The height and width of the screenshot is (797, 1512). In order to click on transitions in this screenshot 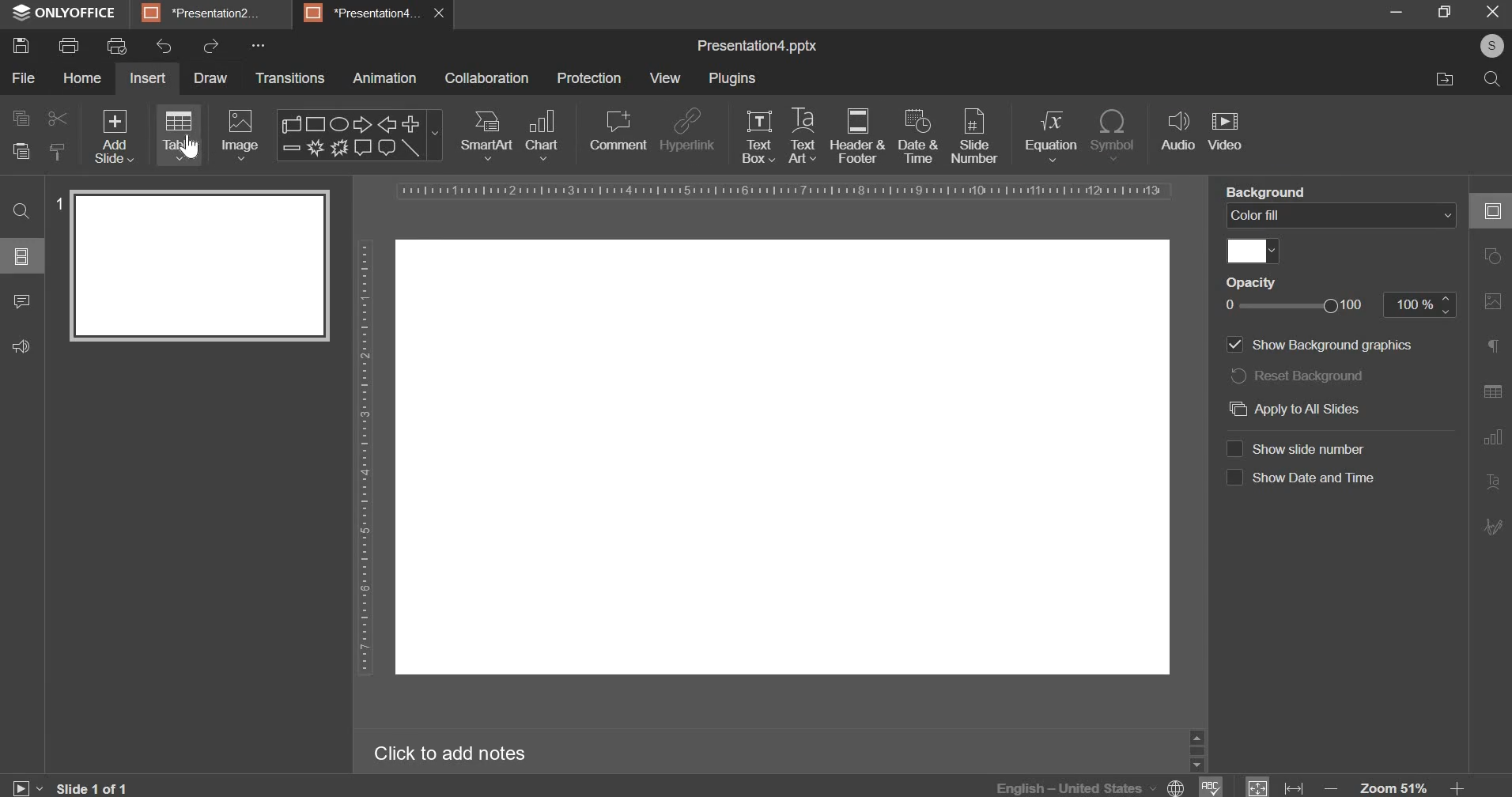, I will do `click(290, 78)`.